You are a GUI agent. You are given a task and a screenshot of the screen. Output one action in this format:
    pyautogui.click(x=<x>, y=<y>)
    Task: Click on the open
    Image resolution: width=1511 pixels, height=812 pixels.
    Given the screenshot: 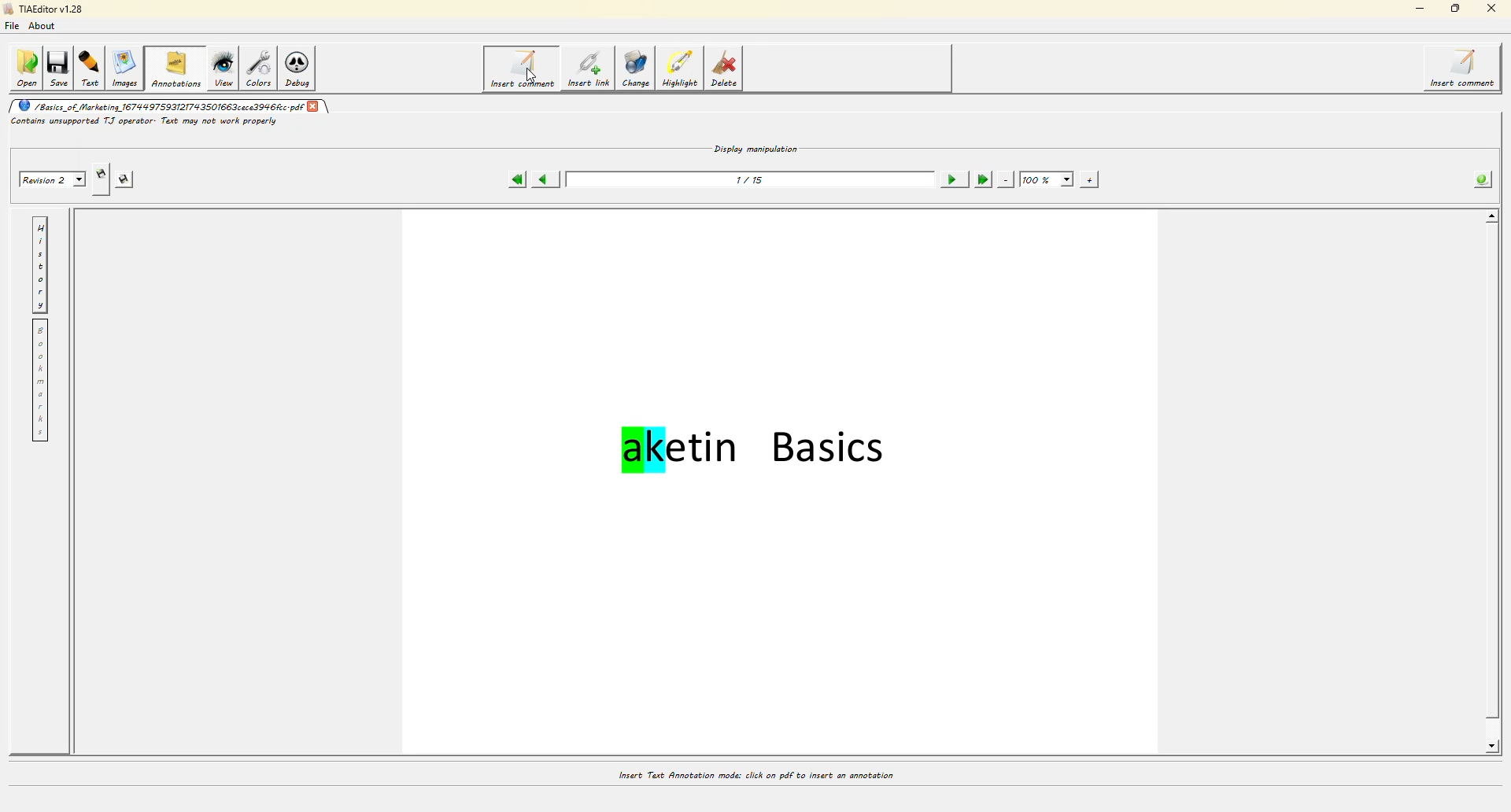 What is the action you would take?
    pyautogui.click(x=26, y=68)
    